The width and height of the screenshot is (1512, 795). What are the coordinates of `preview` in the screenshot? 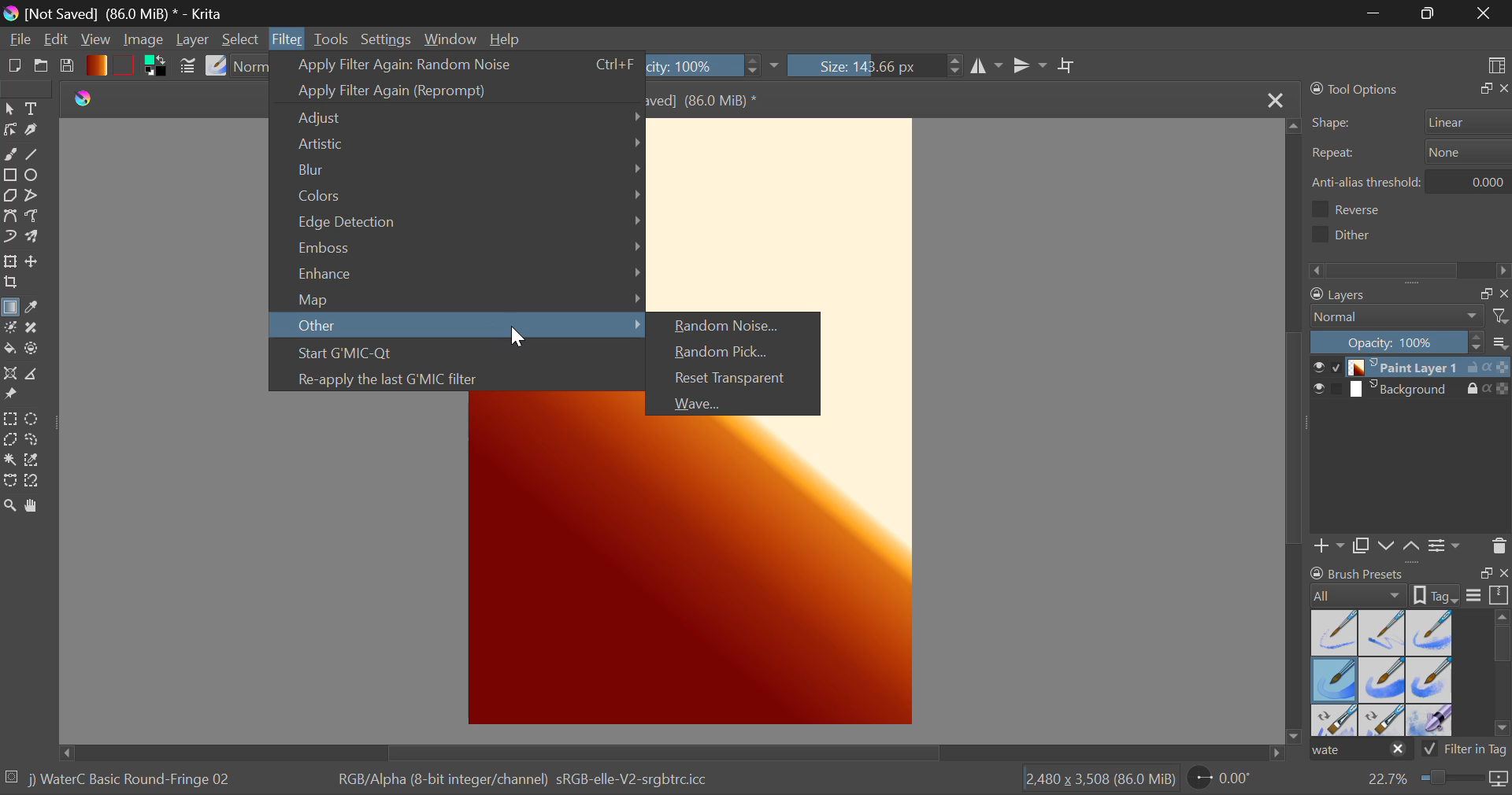 It's located at (1316, 368).